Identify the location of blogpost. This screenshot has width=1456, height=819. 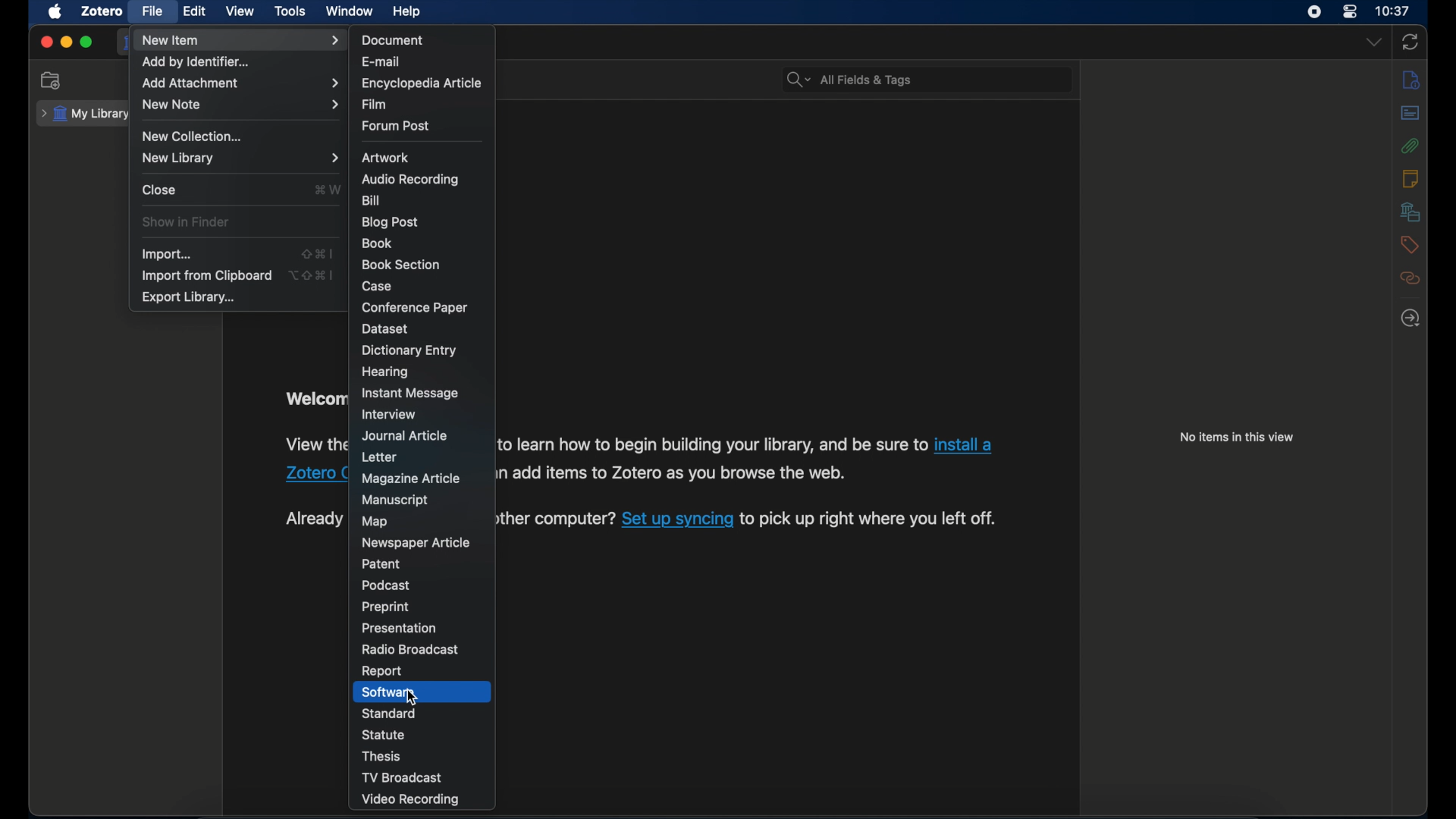
(391, 221).